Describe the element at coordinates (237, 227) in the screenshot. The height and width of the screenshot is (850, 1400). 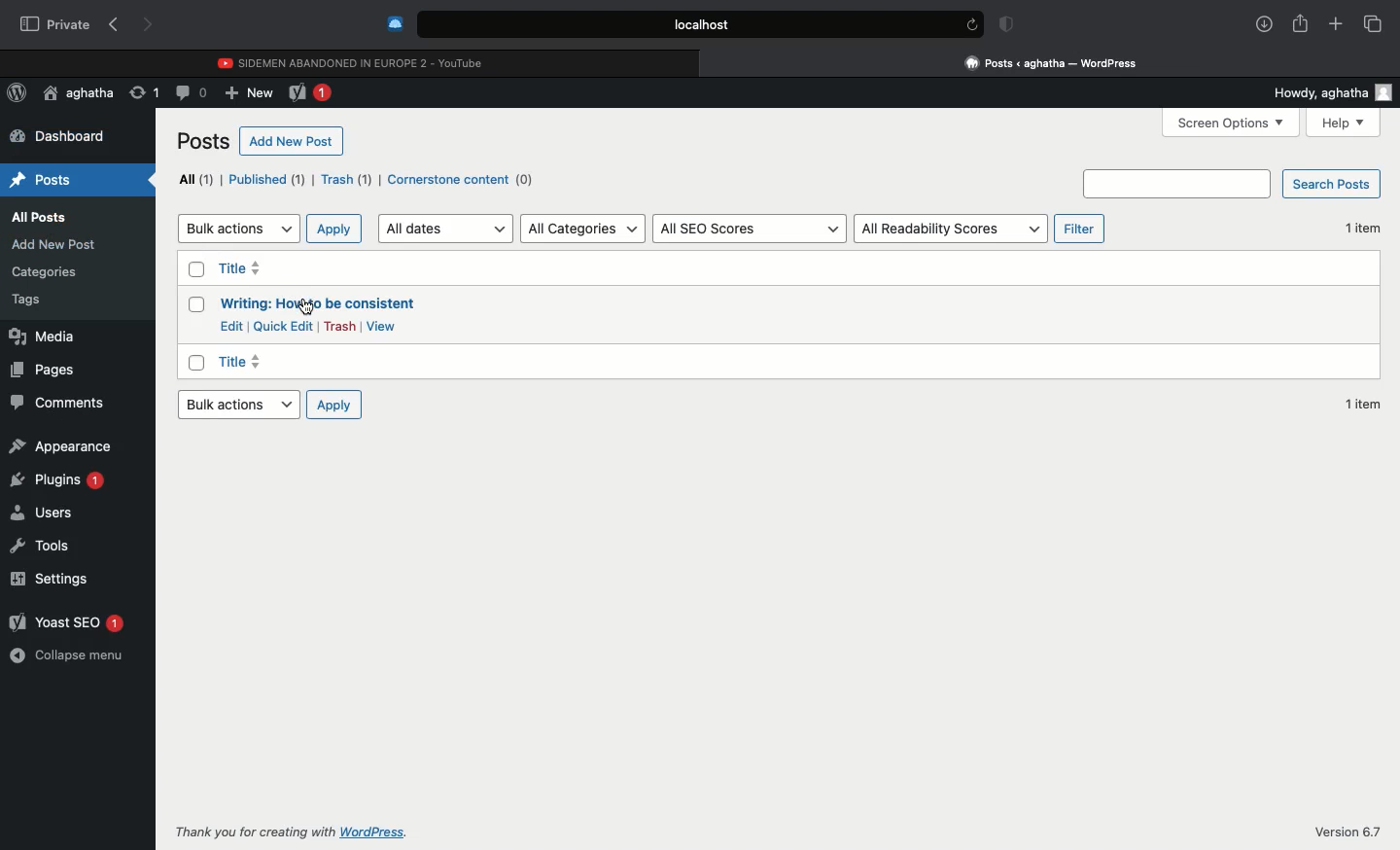
I see `Bulk actions` at that location.